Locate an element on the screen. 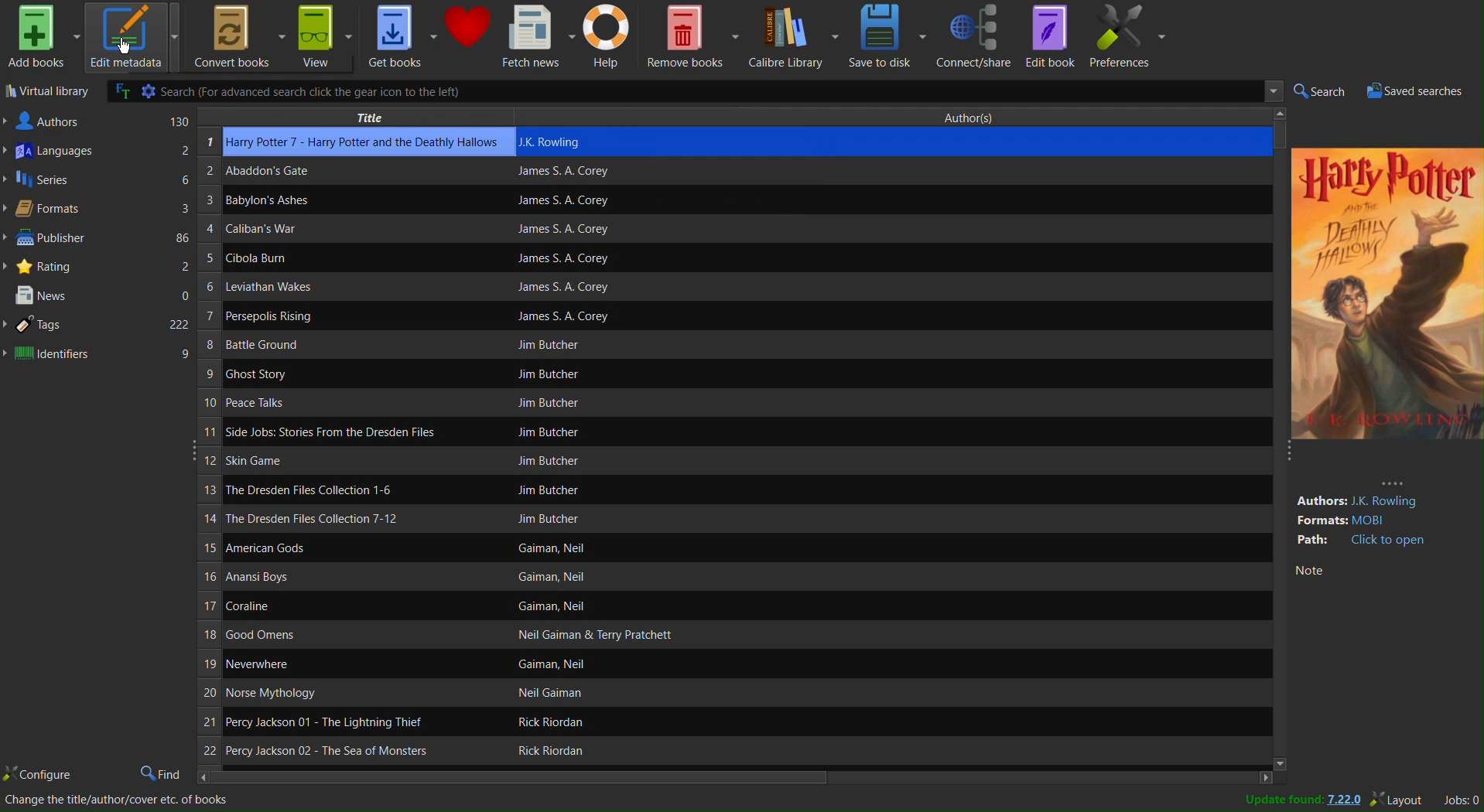 Image resolution: width=1484 pixels, height=812 pixels. Author’s name is located at coordinates (731, 374).